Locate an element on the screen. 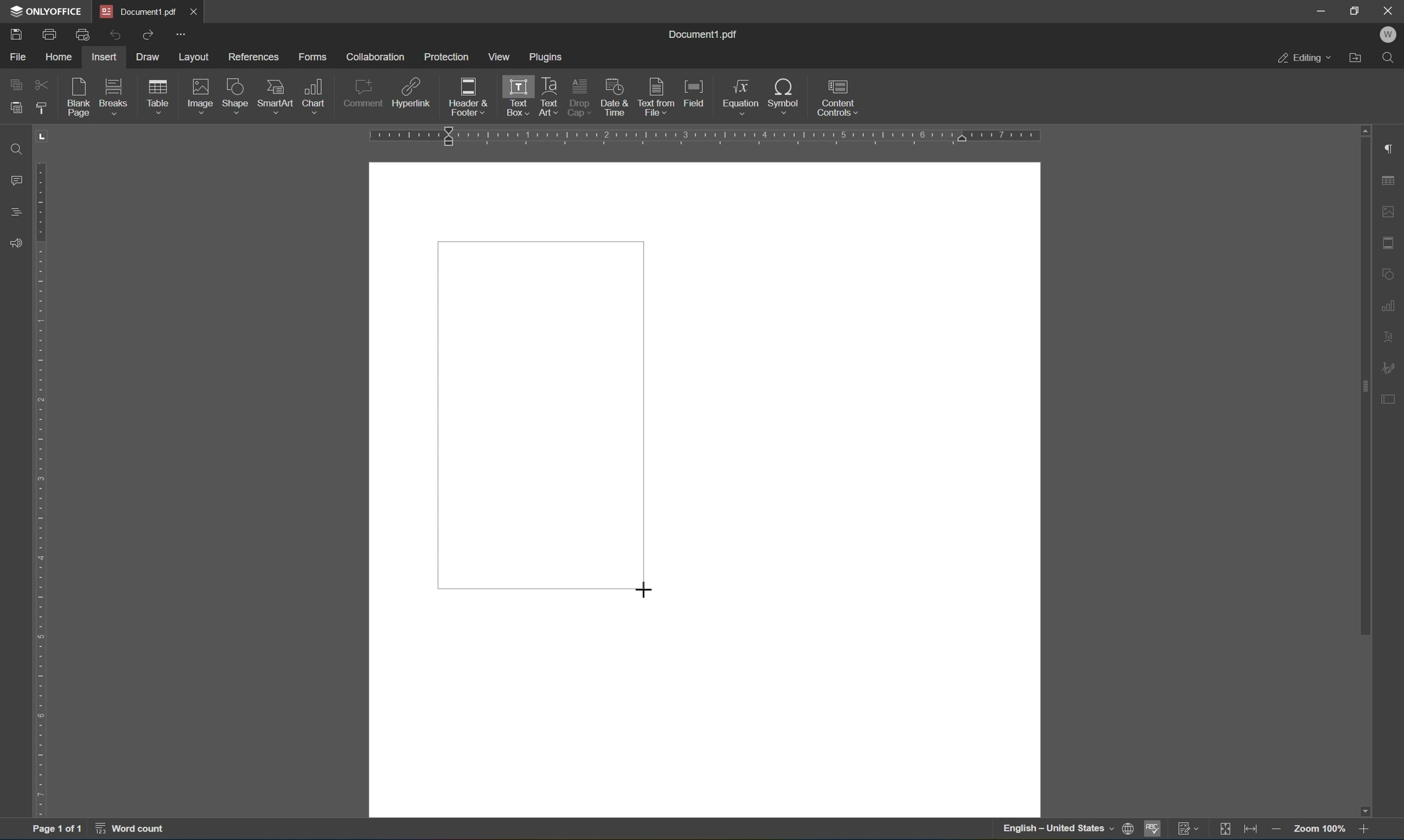 The width and height of the screenshot is (1404, 840). document1.pdf is located at coordinates (702, 35).